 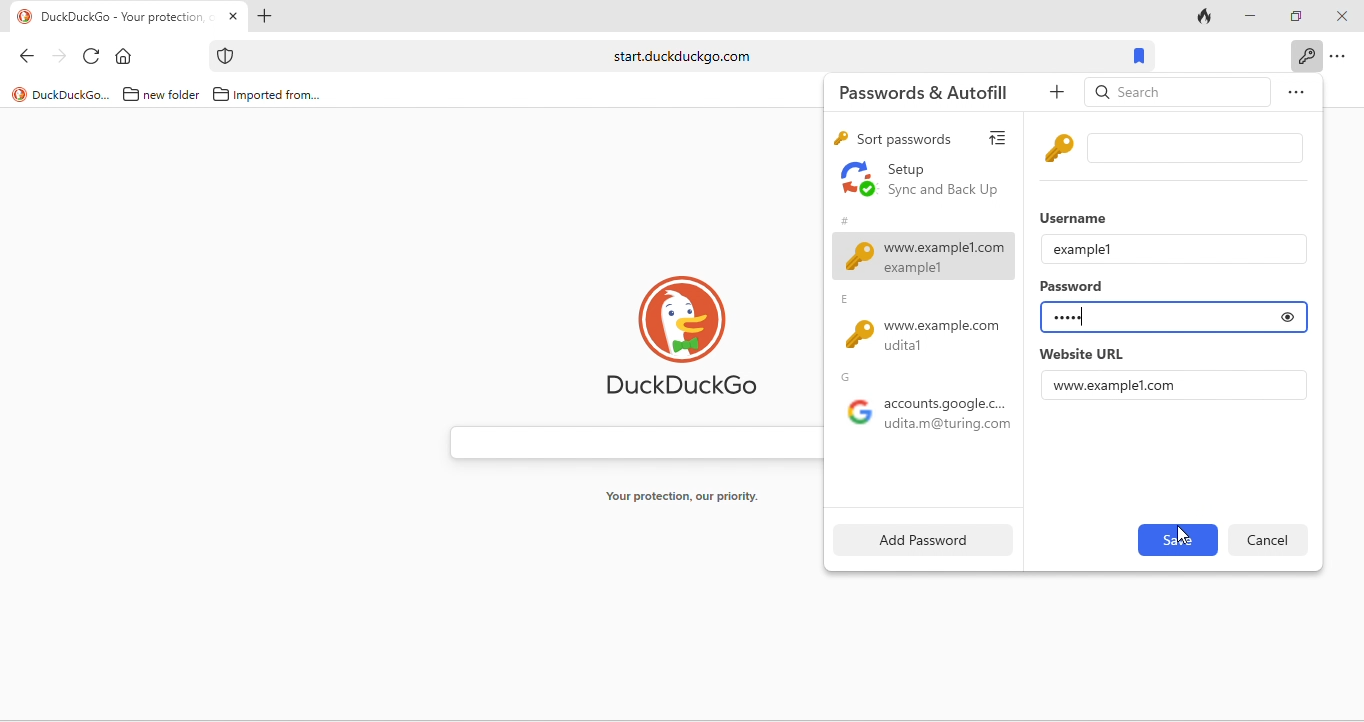 I want to click on view, so click(x=1003, y=135).